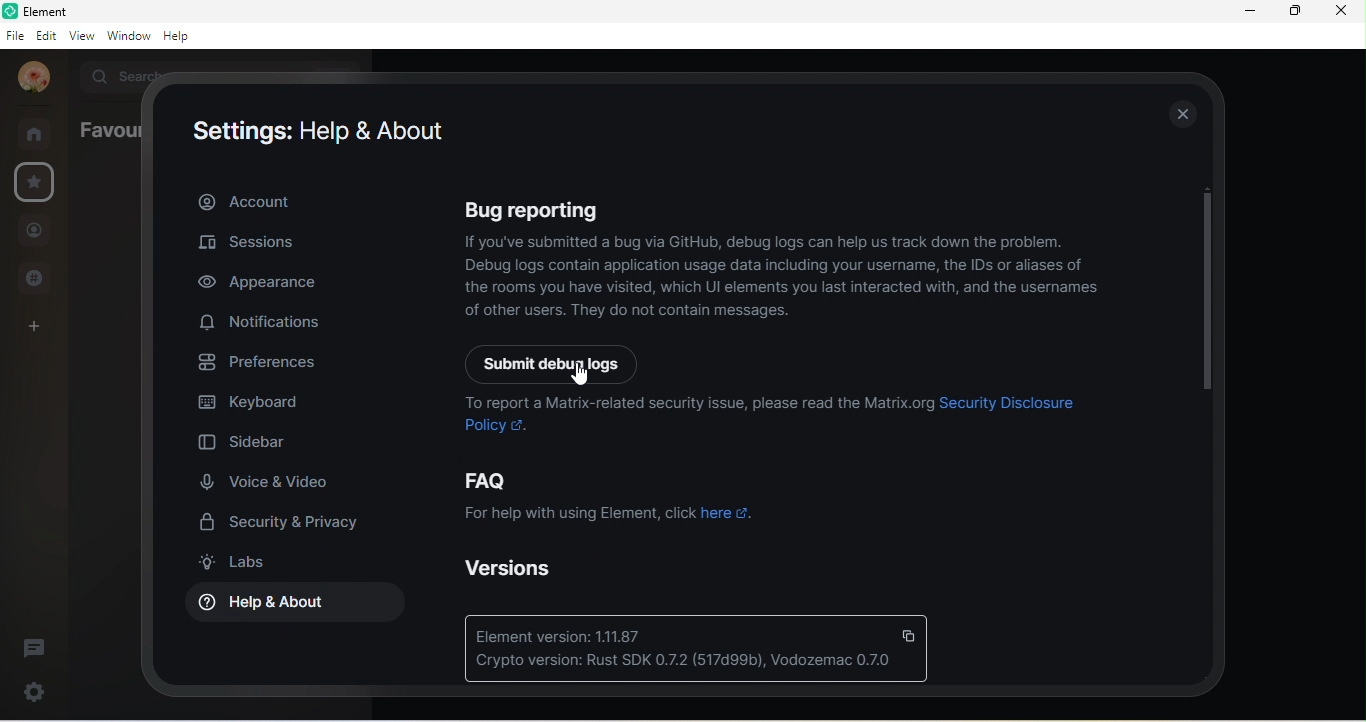  I want to click on maximize, so click(1294, 12).